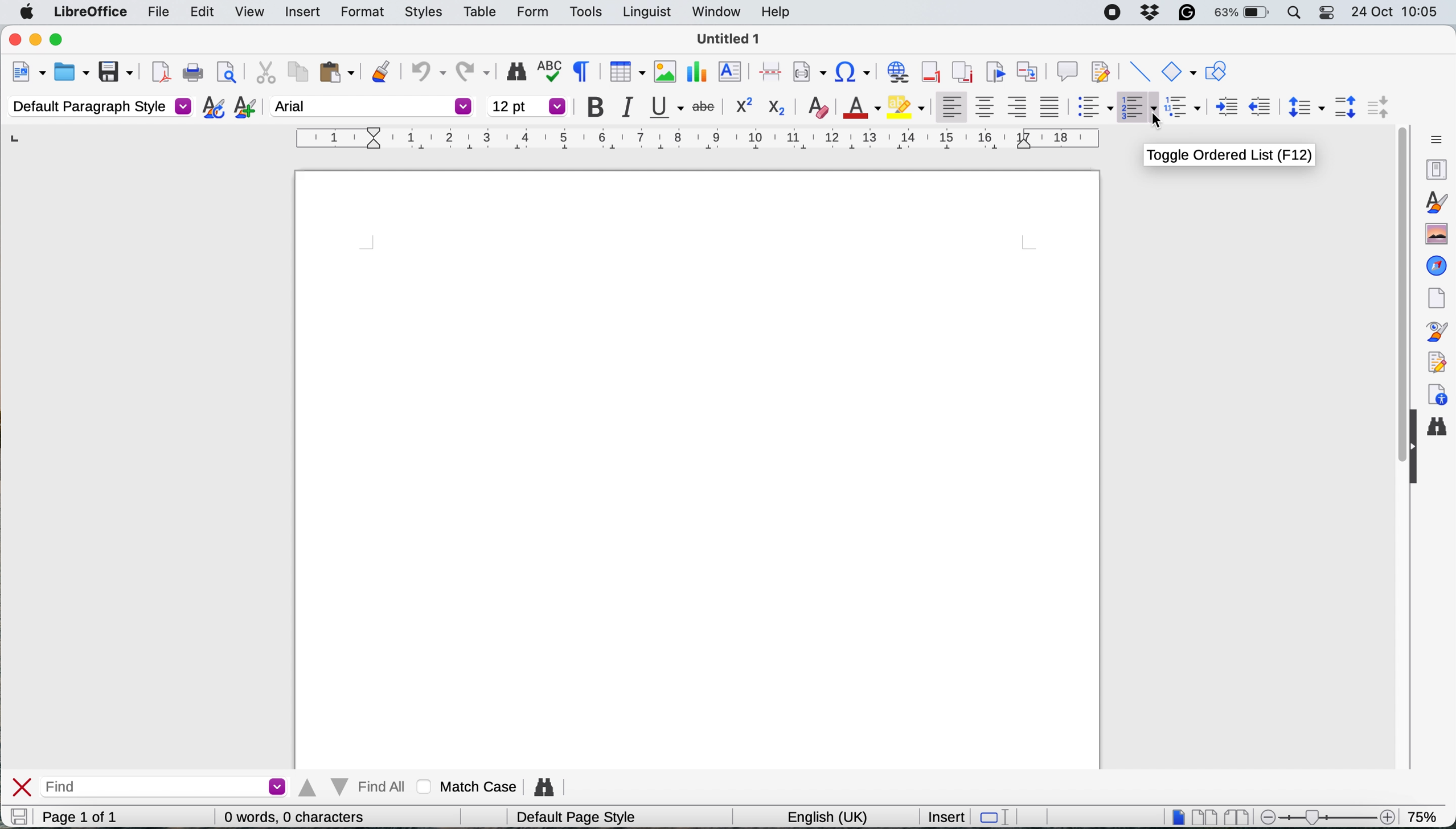  Describe the element at coordinates (249, 14) in the screenshot. I see `view` at that location.